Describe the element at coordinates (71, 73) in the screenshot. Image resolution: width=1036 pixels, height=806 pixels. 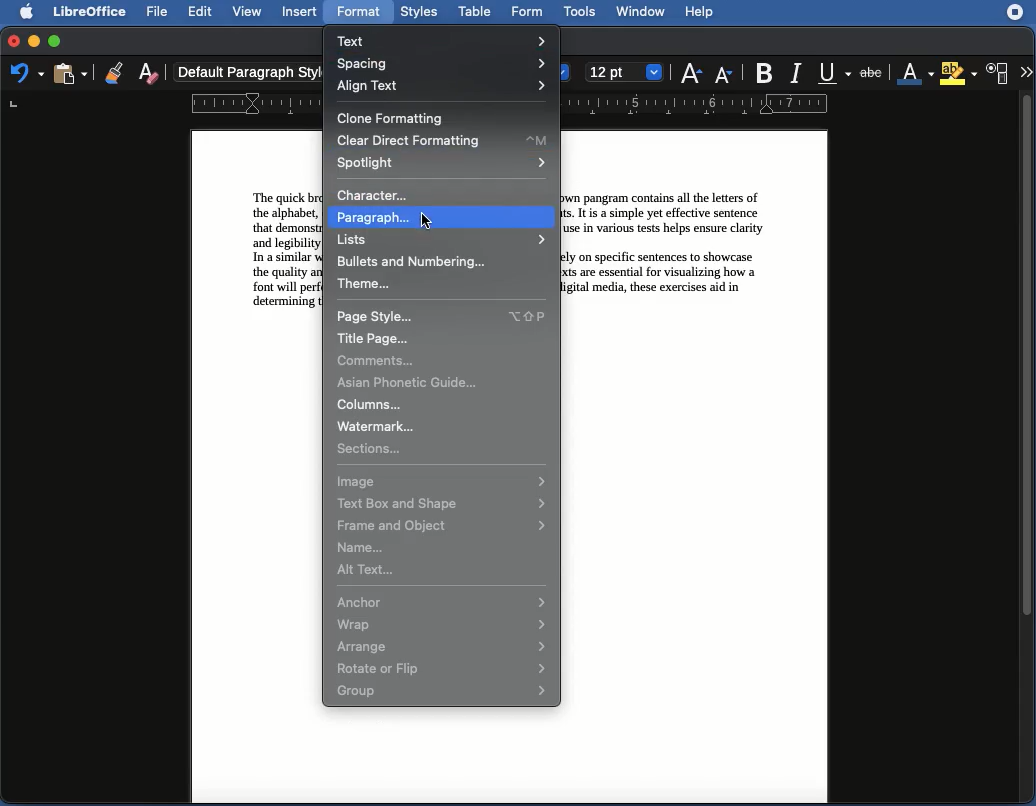
I see `Clipboard` at that location.